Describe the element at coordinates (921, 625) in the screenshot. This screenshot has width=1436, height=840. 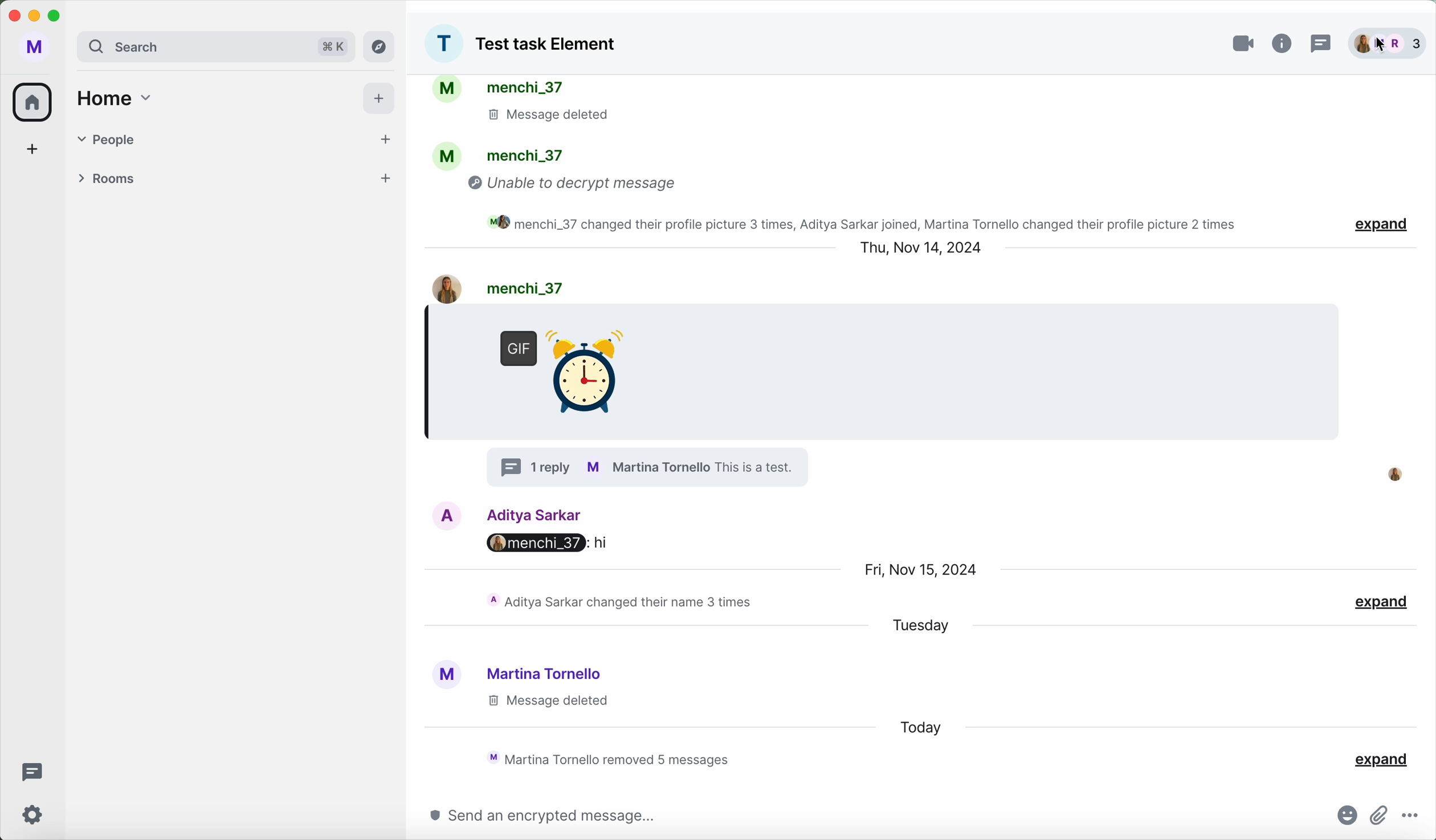
I see `tuesday` at that location.